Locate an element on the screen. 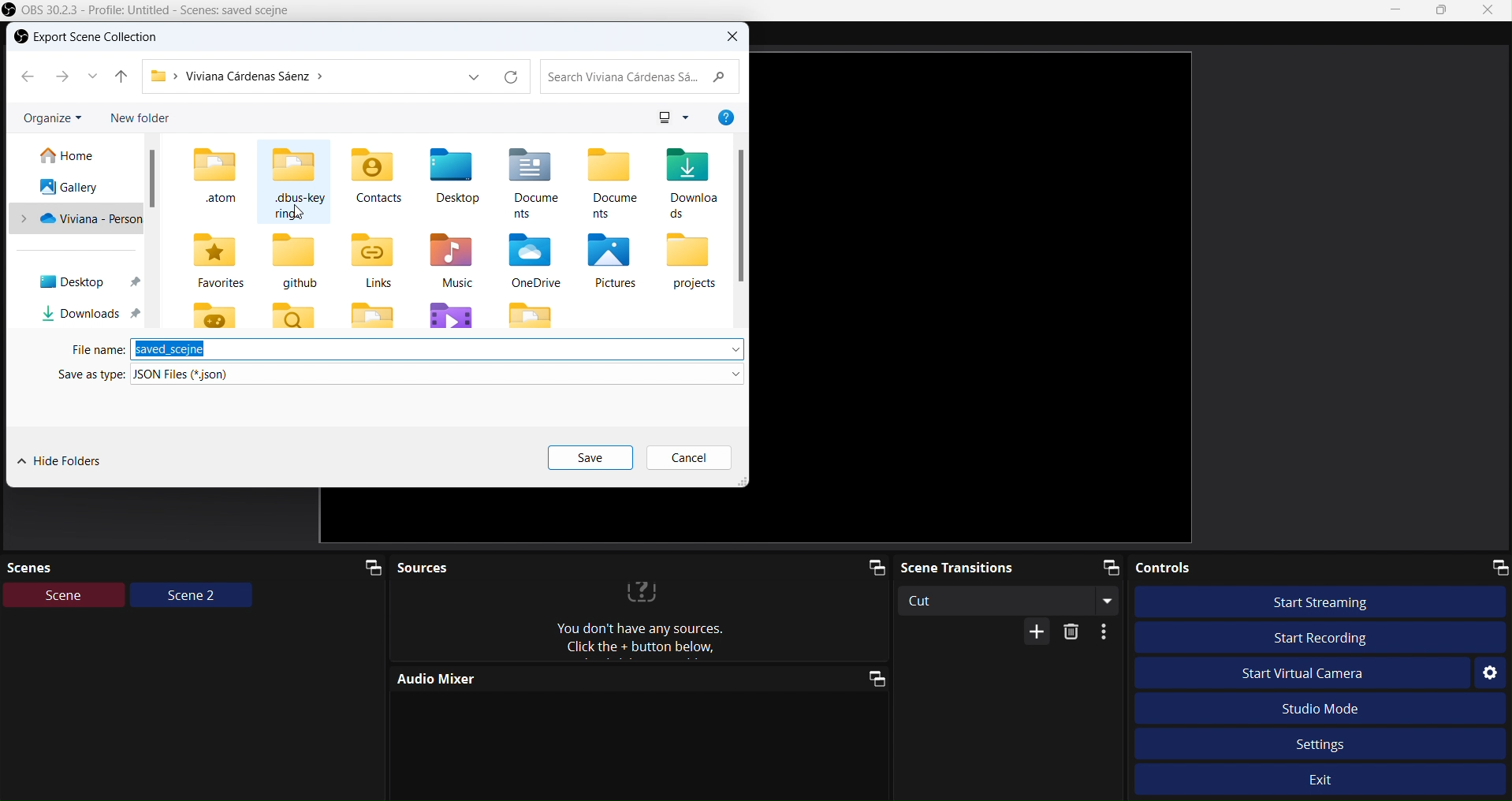 The height and width of the screenshot is (801, 1512). vertical scroll bar is located at coordinates (742, 214).